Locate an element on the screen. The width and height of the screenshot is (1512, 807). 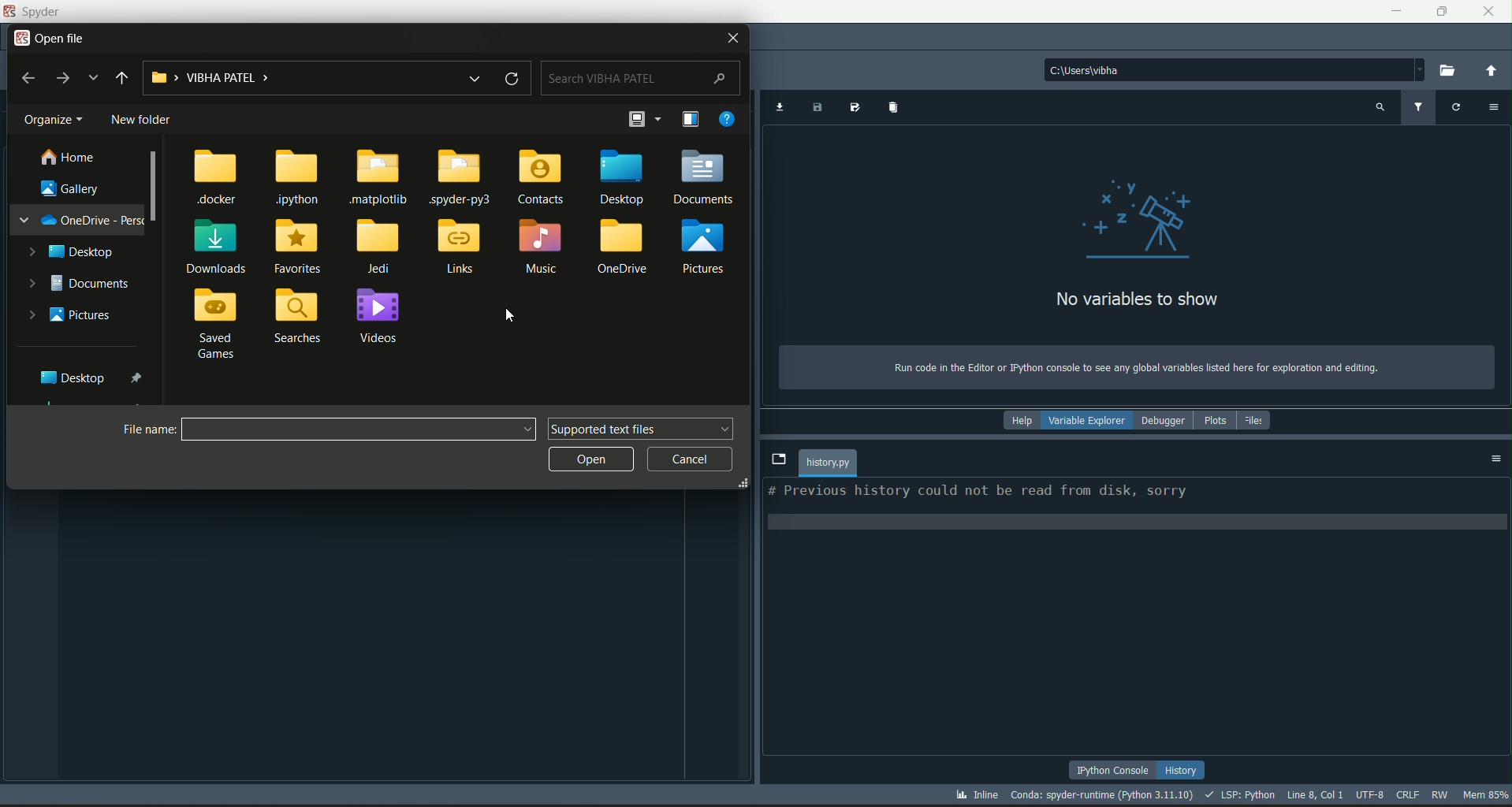
save data is located at coordinates (818, 109).